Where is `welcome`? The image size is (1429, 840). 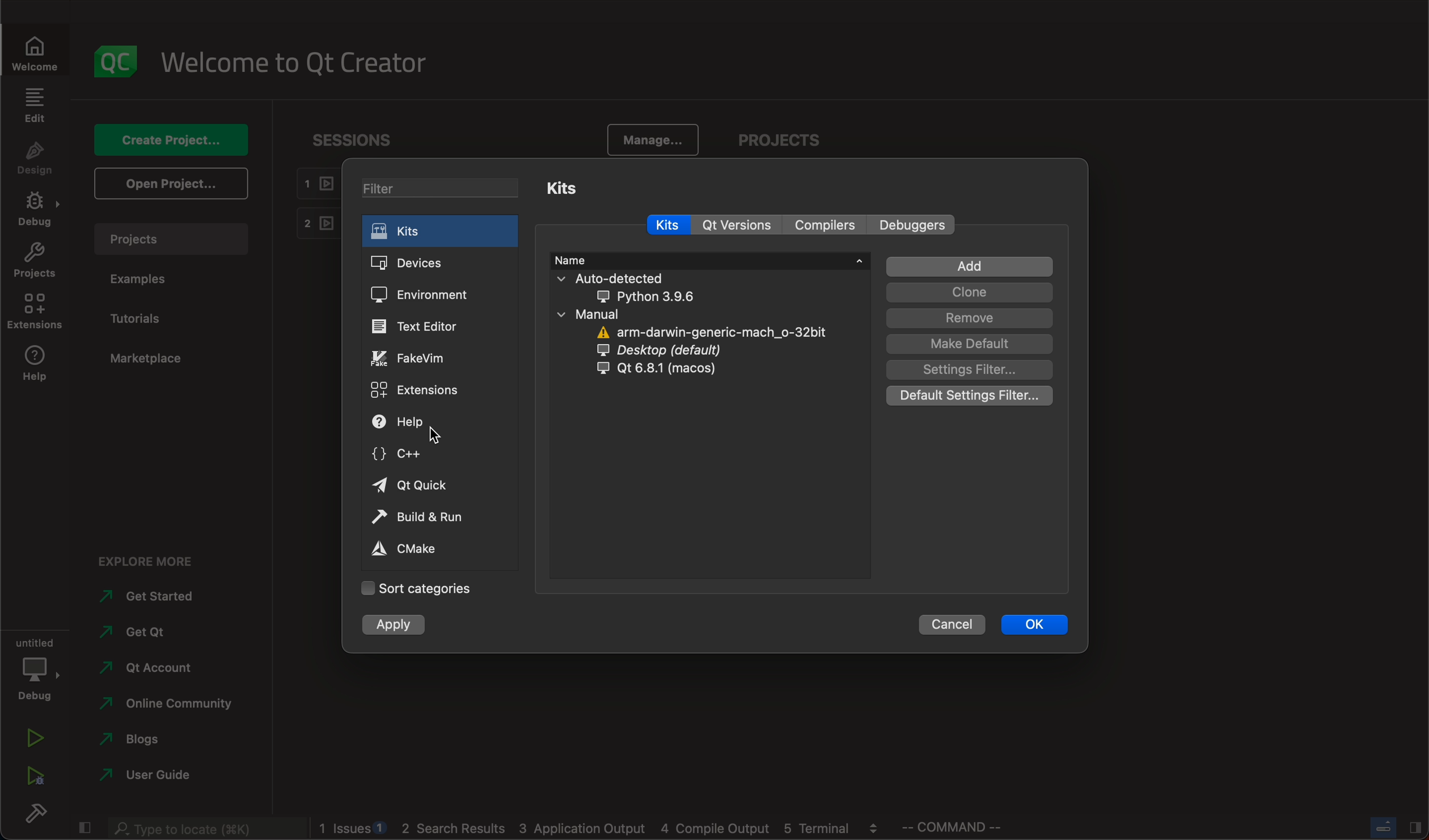 welcome is located at coordinates (294, 63).